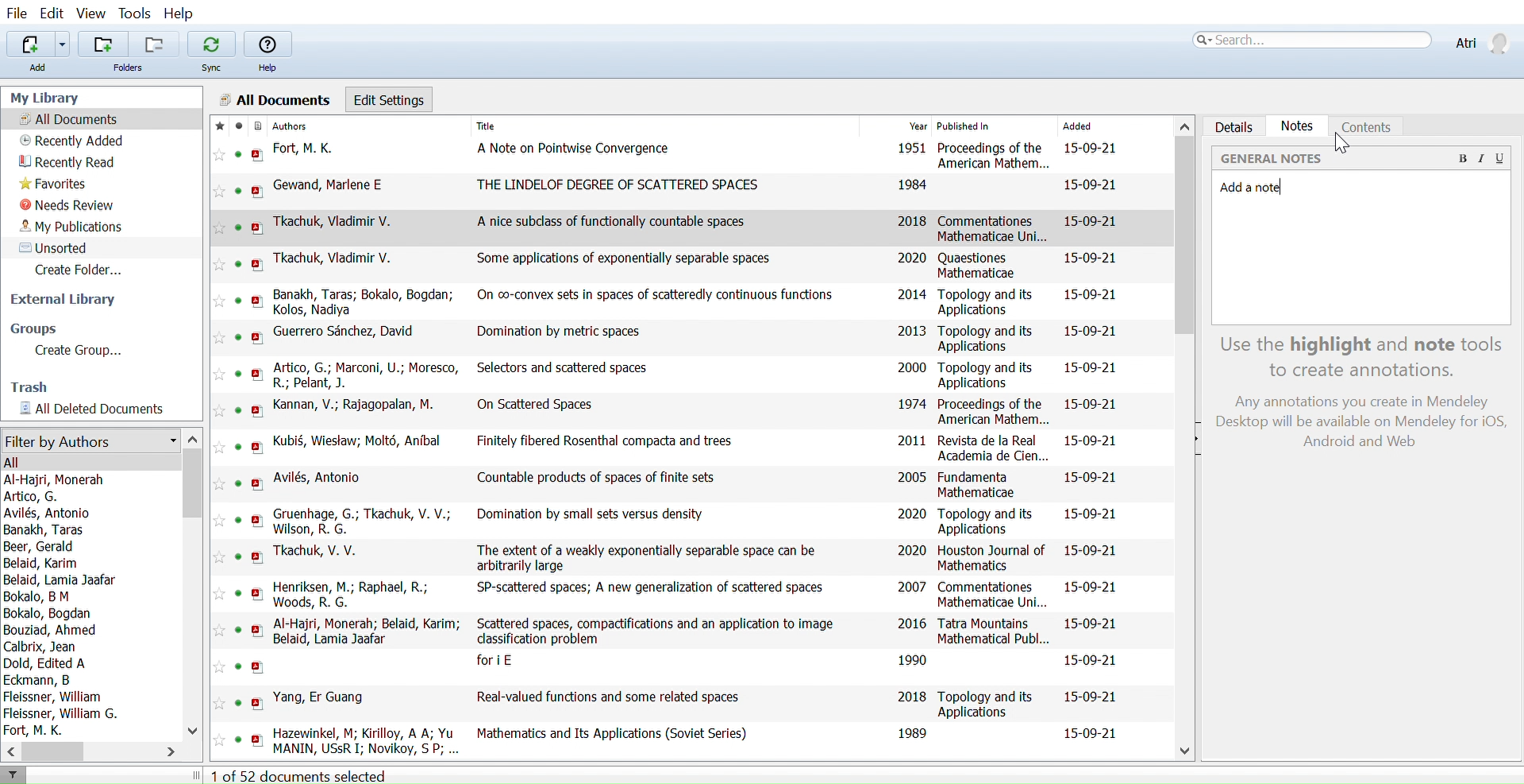 This screenshot has width=1524, height=784. I want to click on mark as read/ unread, so click(236, 126).